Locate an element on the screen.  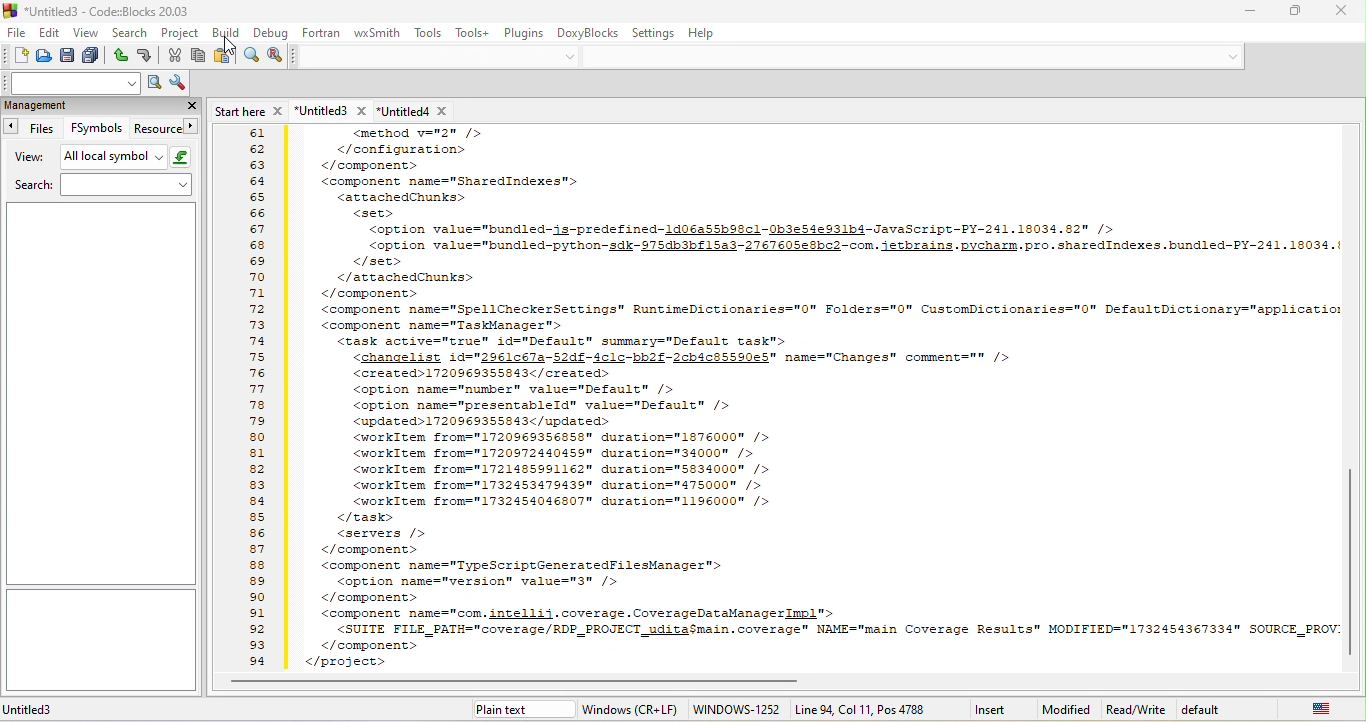
doxyblocks is located at coordinates (588, 33).